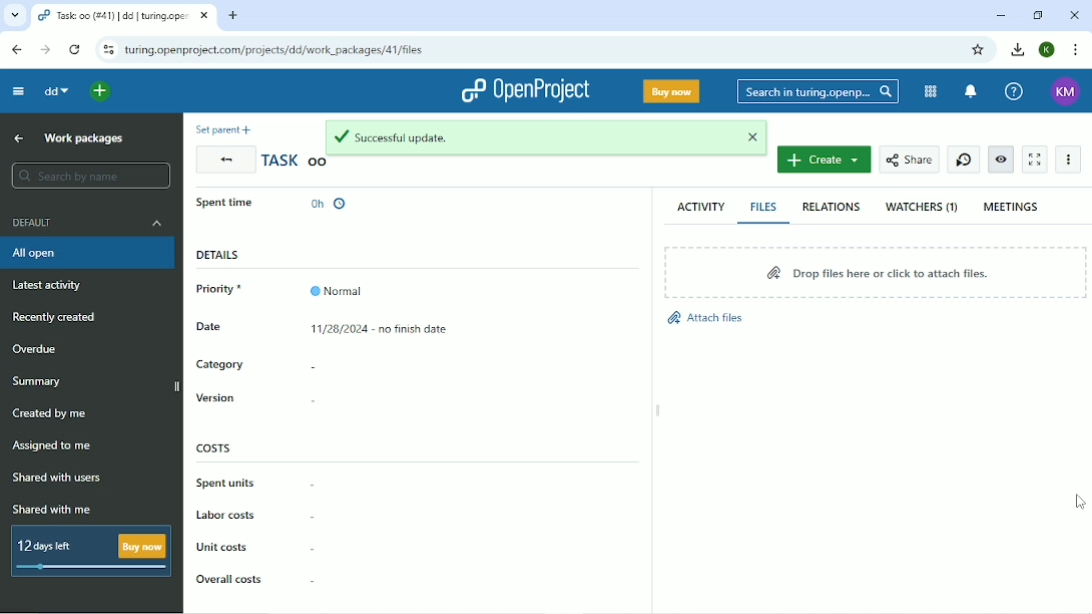  Describe the element at coordinates (1003, 15) in the screenshot. I see `Minimize` at that location.